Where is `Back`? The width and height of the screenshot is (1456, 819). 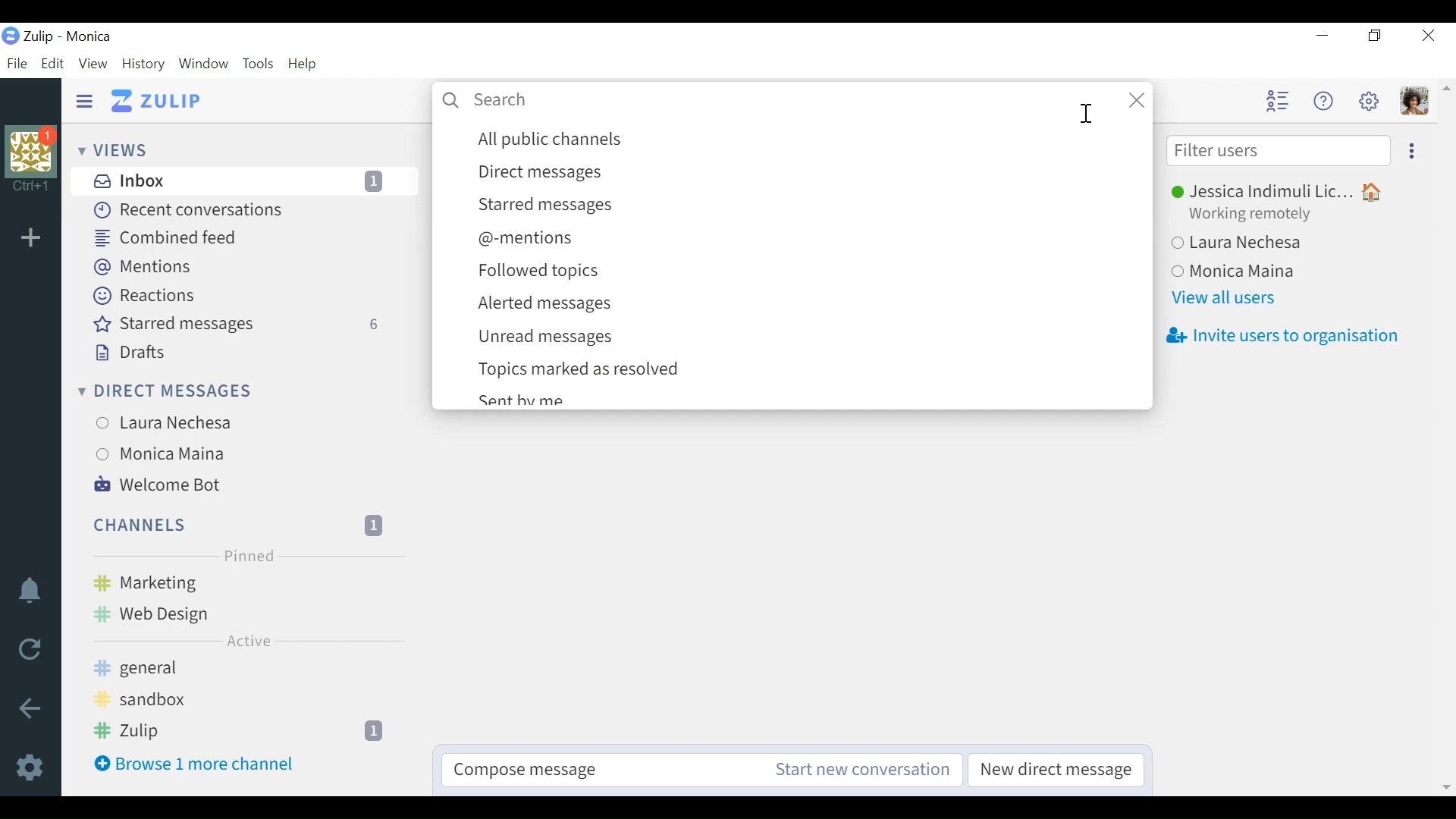 Back is located at coordinates (28, 706).